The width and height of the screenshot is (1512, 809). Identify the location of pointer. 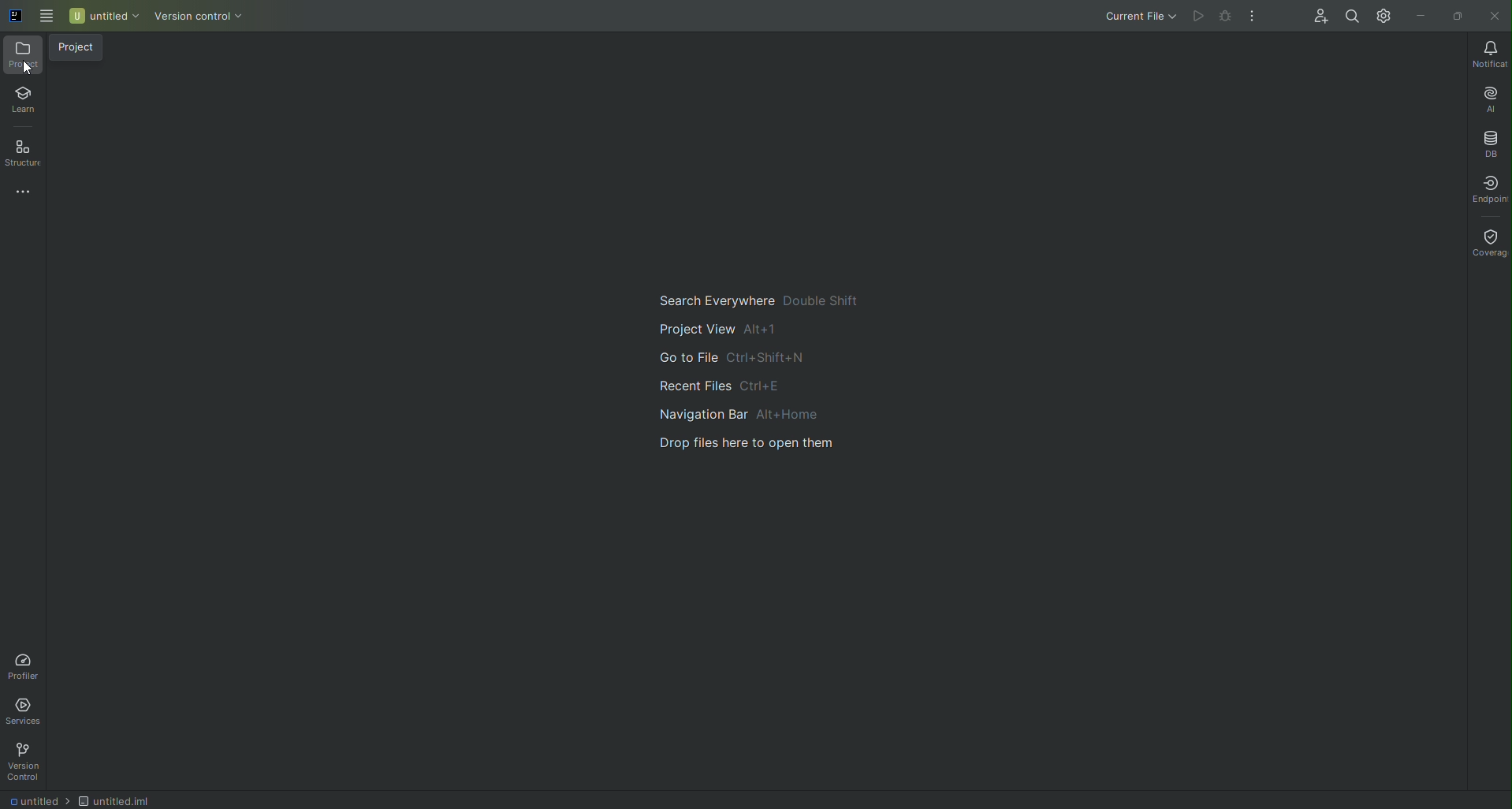
(32, 73).